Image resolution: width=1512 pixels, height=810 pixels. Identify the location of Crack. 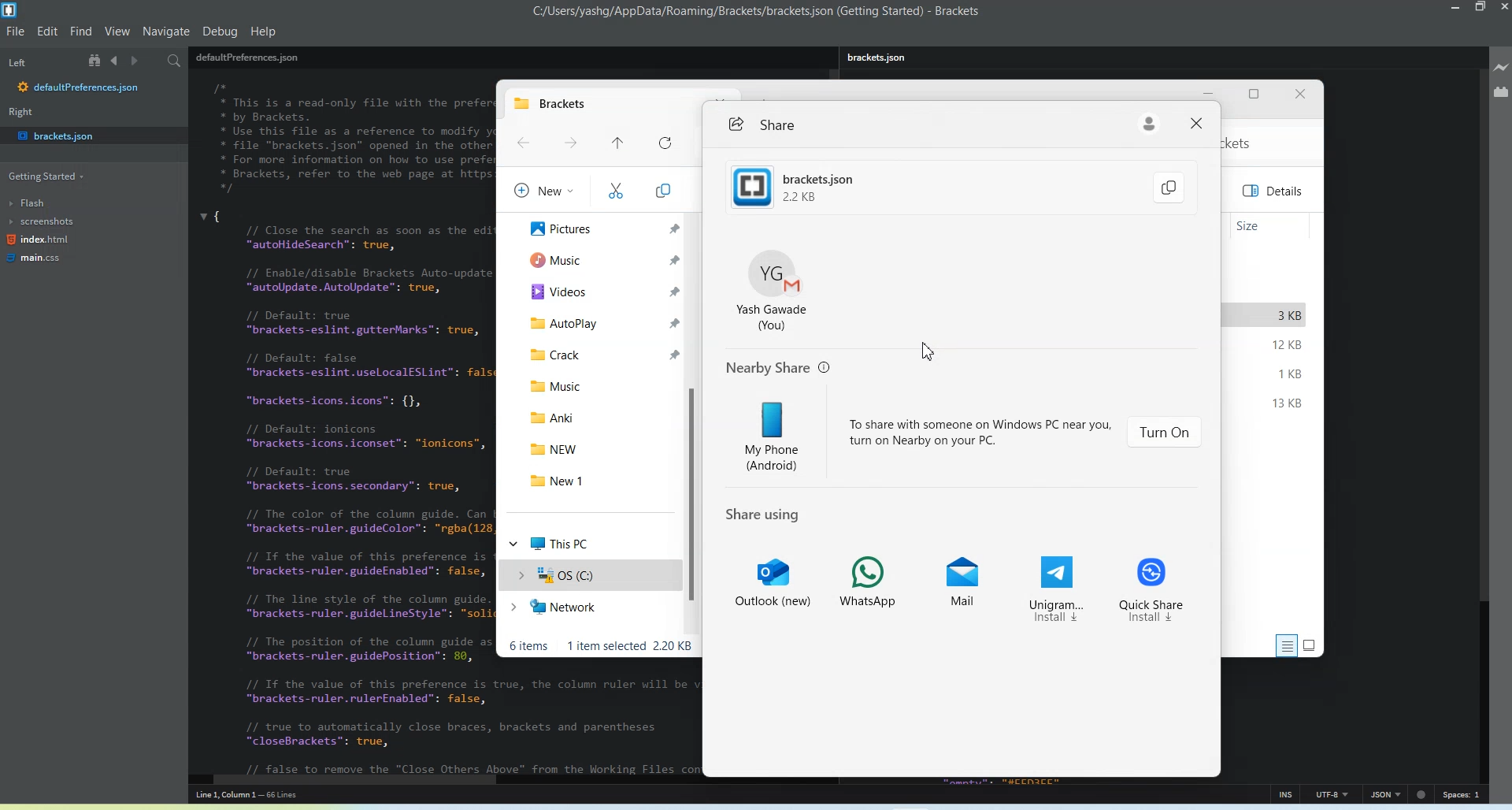
(599, 355).